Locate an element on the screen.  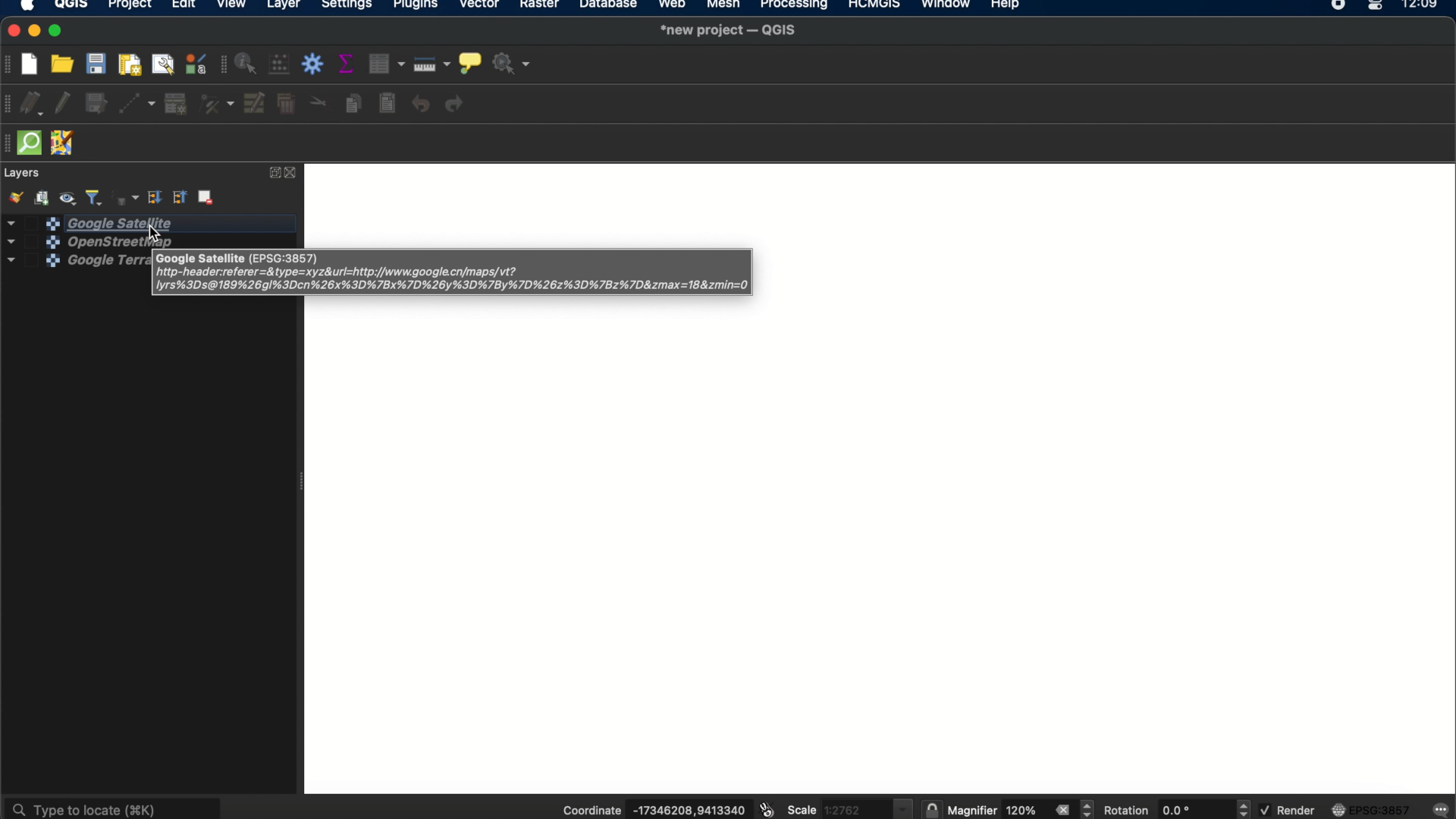
filter legend is located at coordinates (95, 196).